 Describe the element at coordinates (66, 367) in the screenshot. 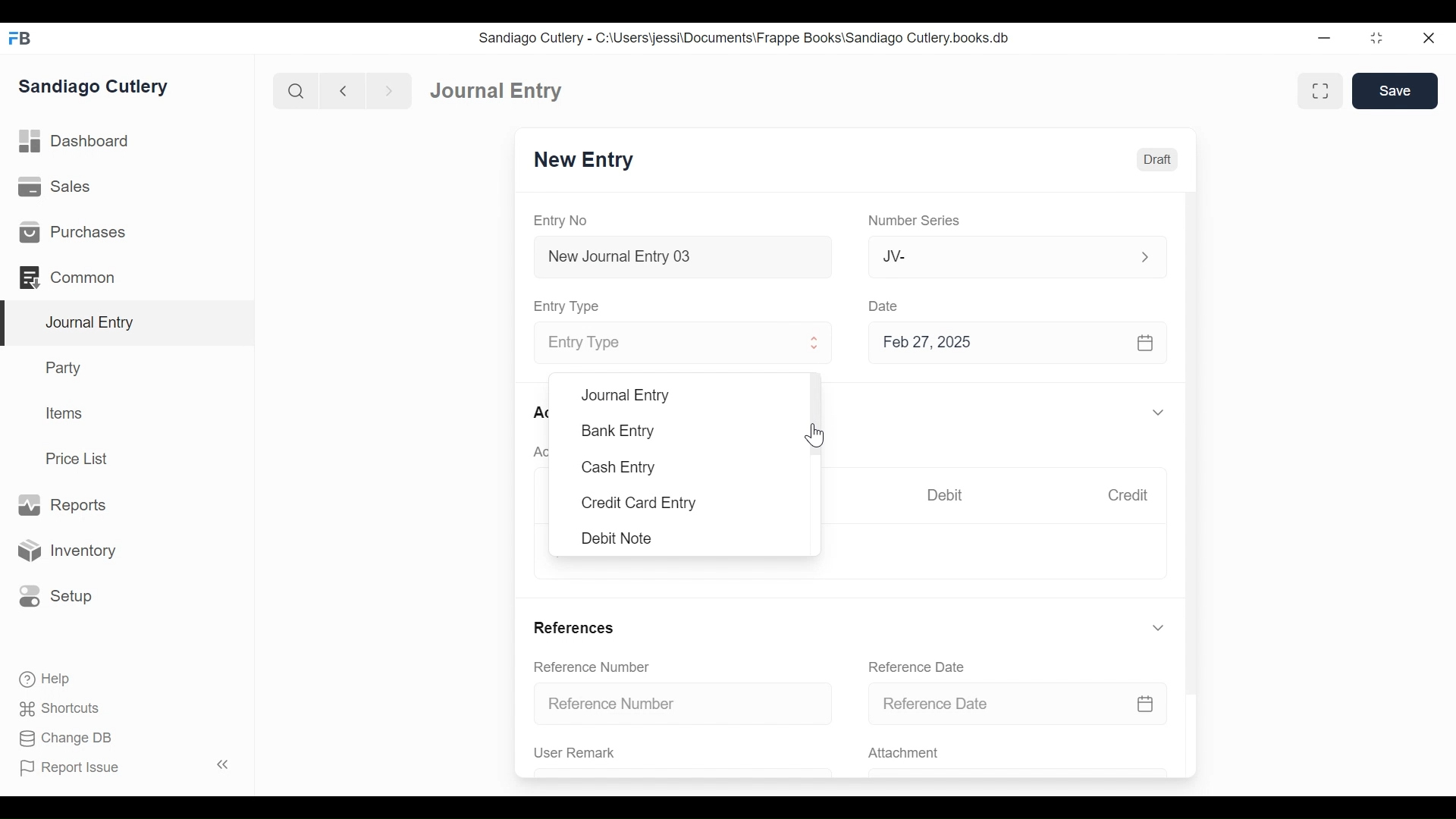

I see `Party` at that location.